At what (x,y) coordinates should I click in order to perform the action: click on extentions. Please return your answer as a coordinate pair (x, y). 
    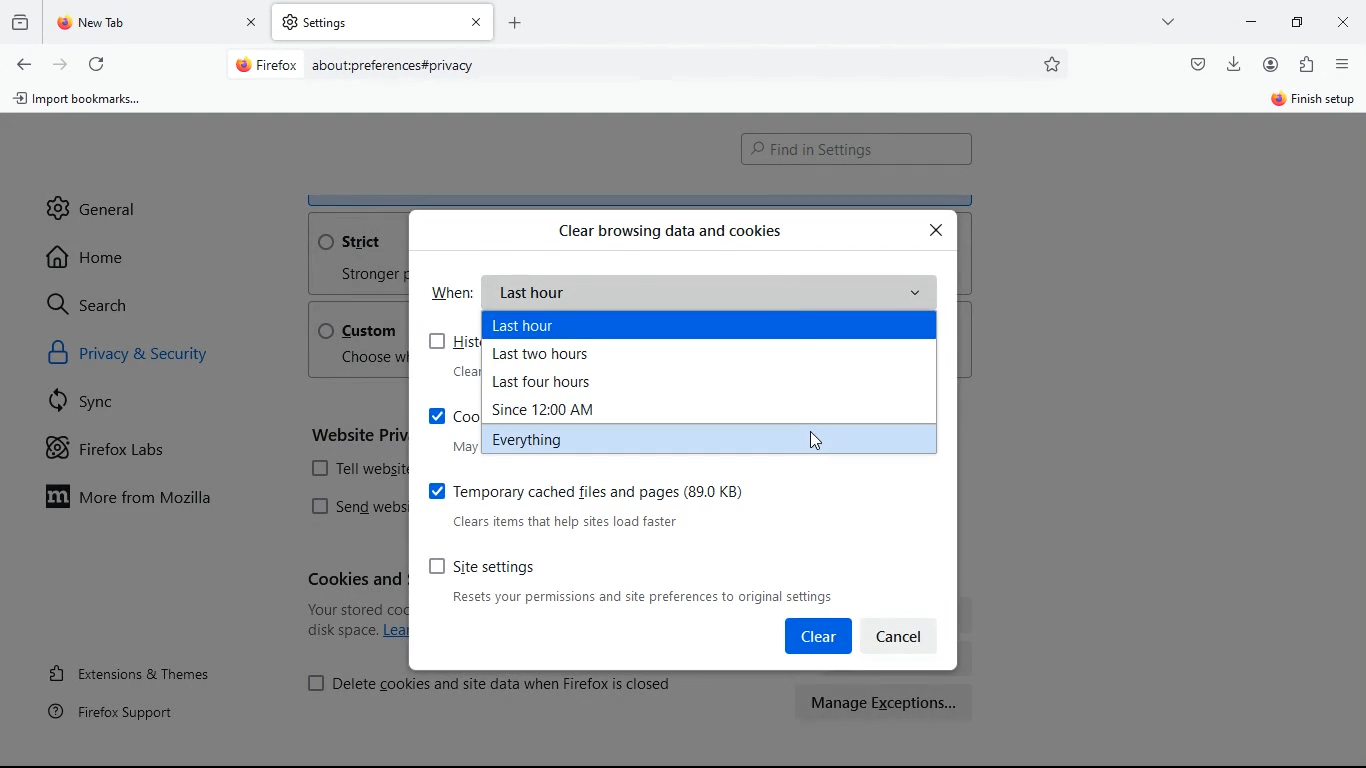
    Looking at the image, I should click on (1306, 66).